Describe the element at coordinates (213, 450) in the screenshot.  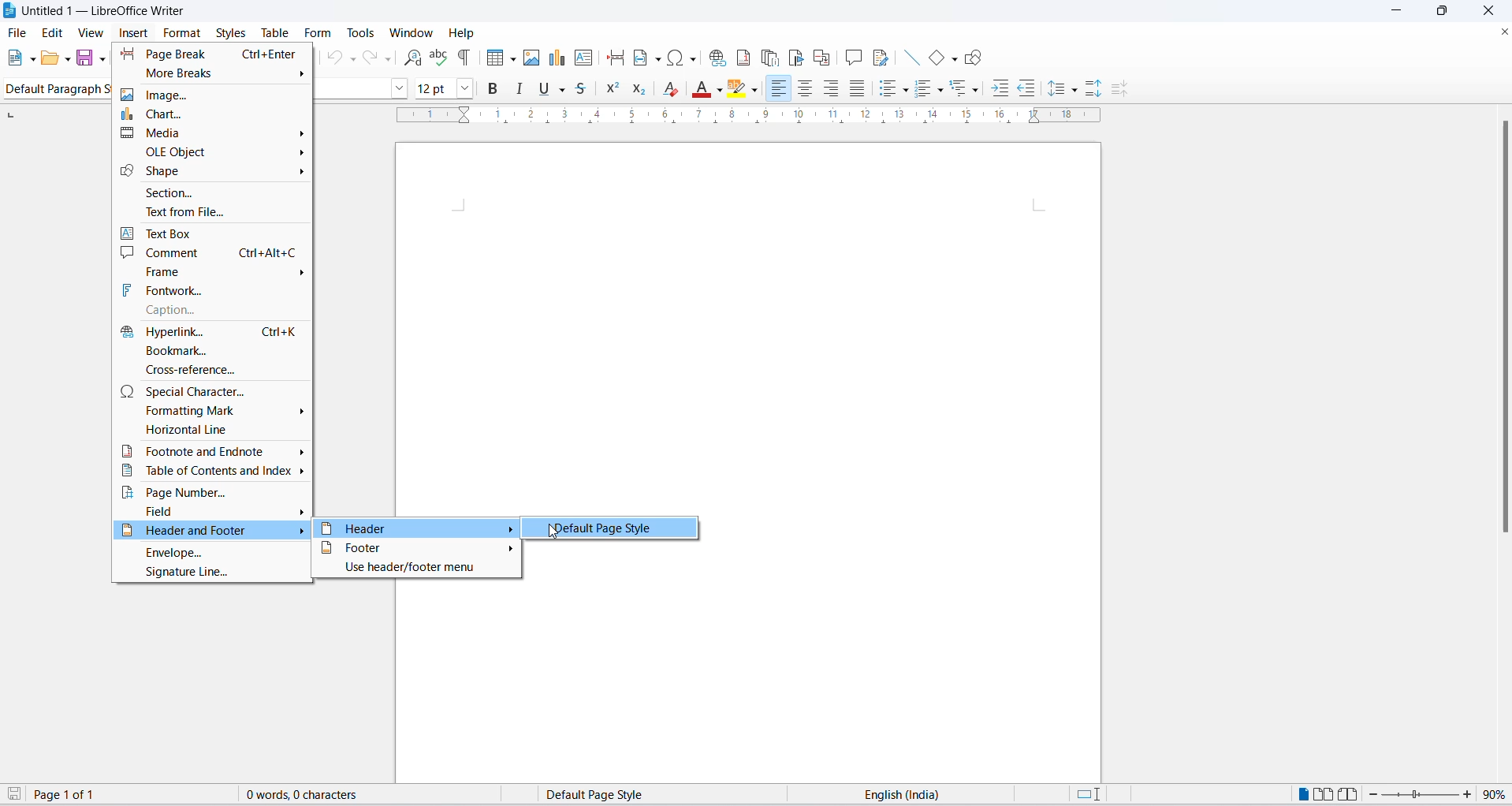
I see `footnote and endnote` at that location.